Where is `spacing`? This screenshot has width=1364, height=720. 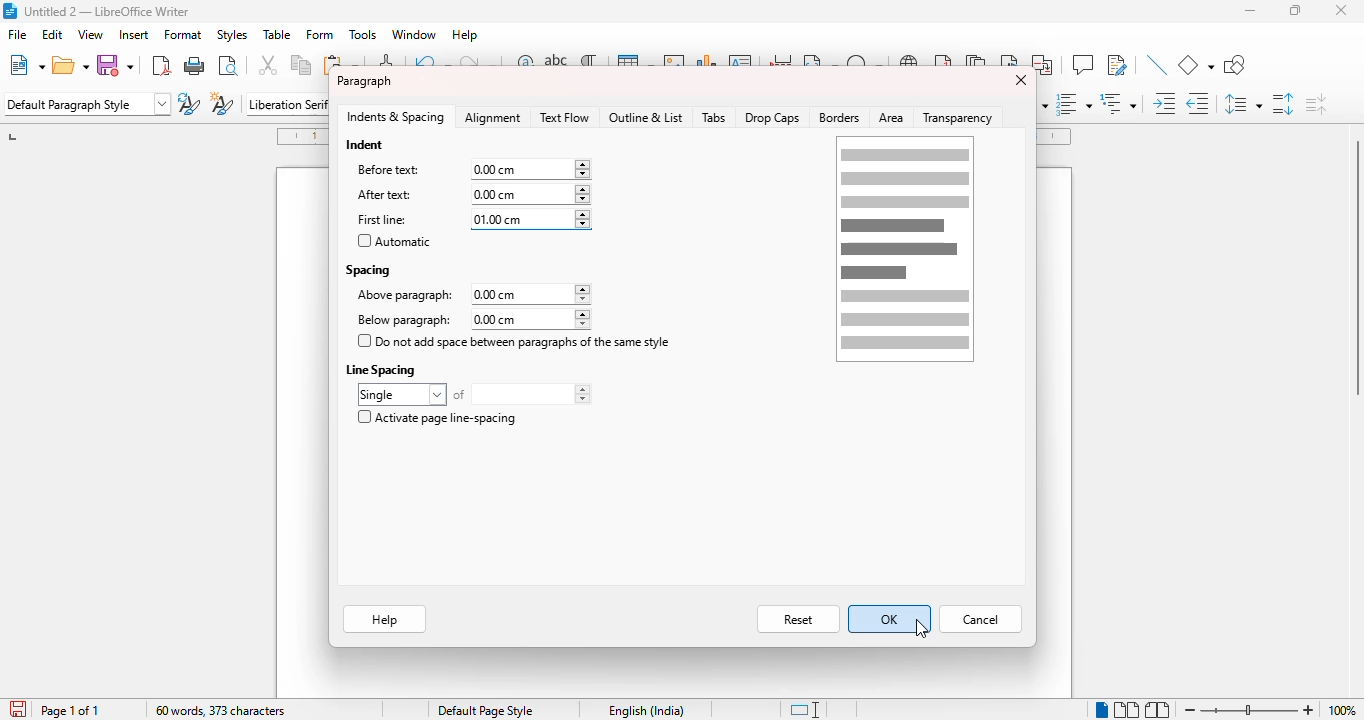
spacing is located at coordinates (369, 269).